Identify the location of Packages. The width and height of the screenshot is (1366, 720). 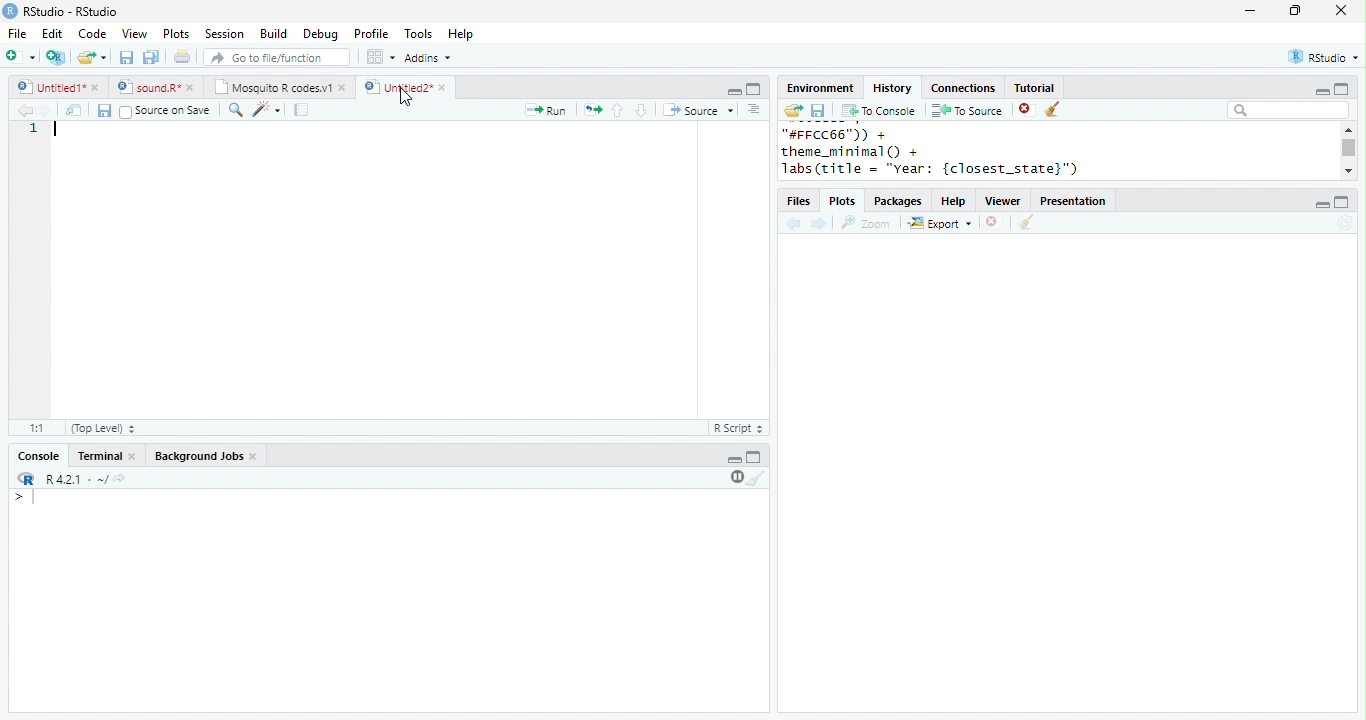
(899, 201).